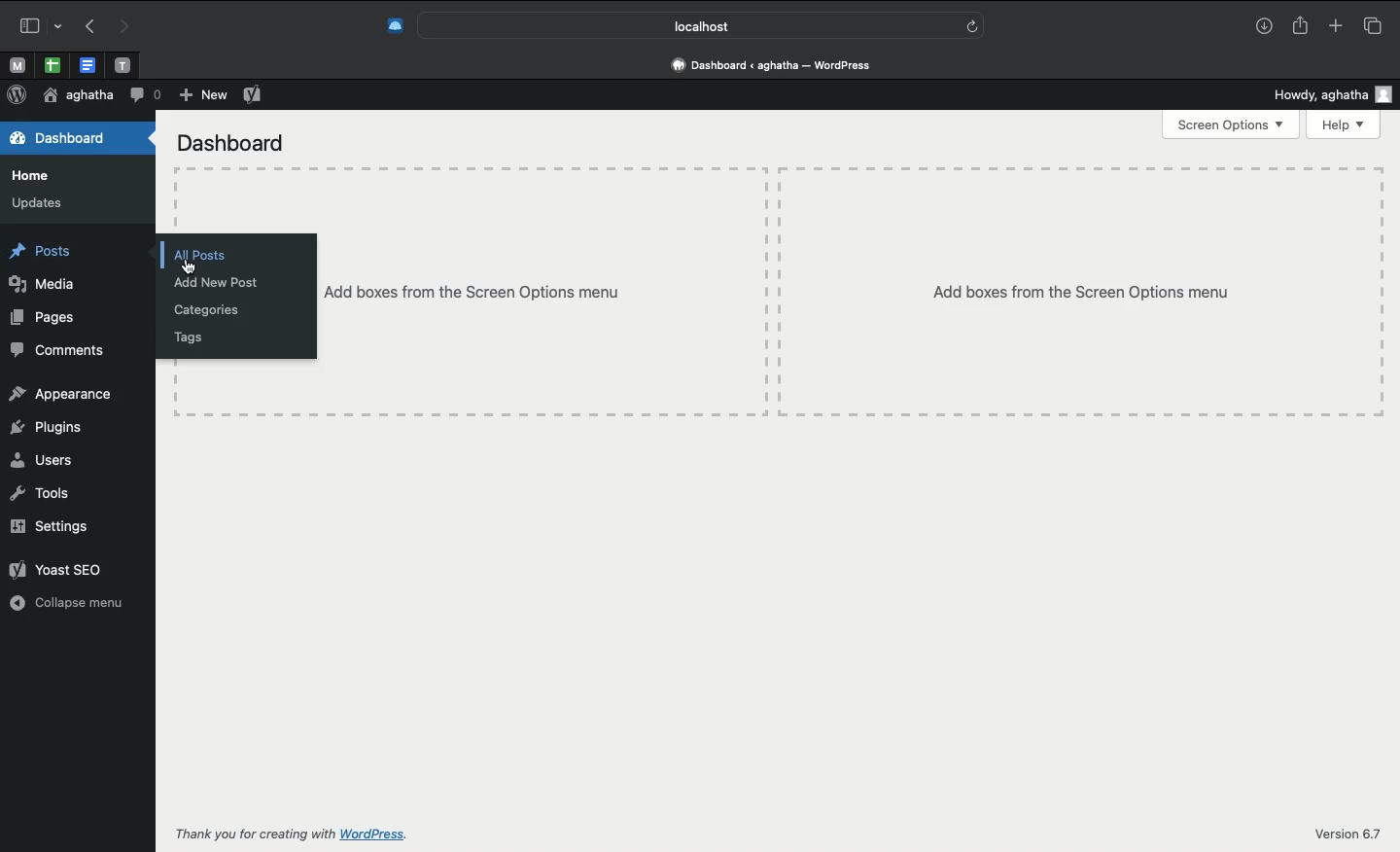 The image size is (1400, 852). What do you see at coordinates (52, 62) in the screenshot?
I see `pinned tab, google sheet` at bounding box center [52, 62].